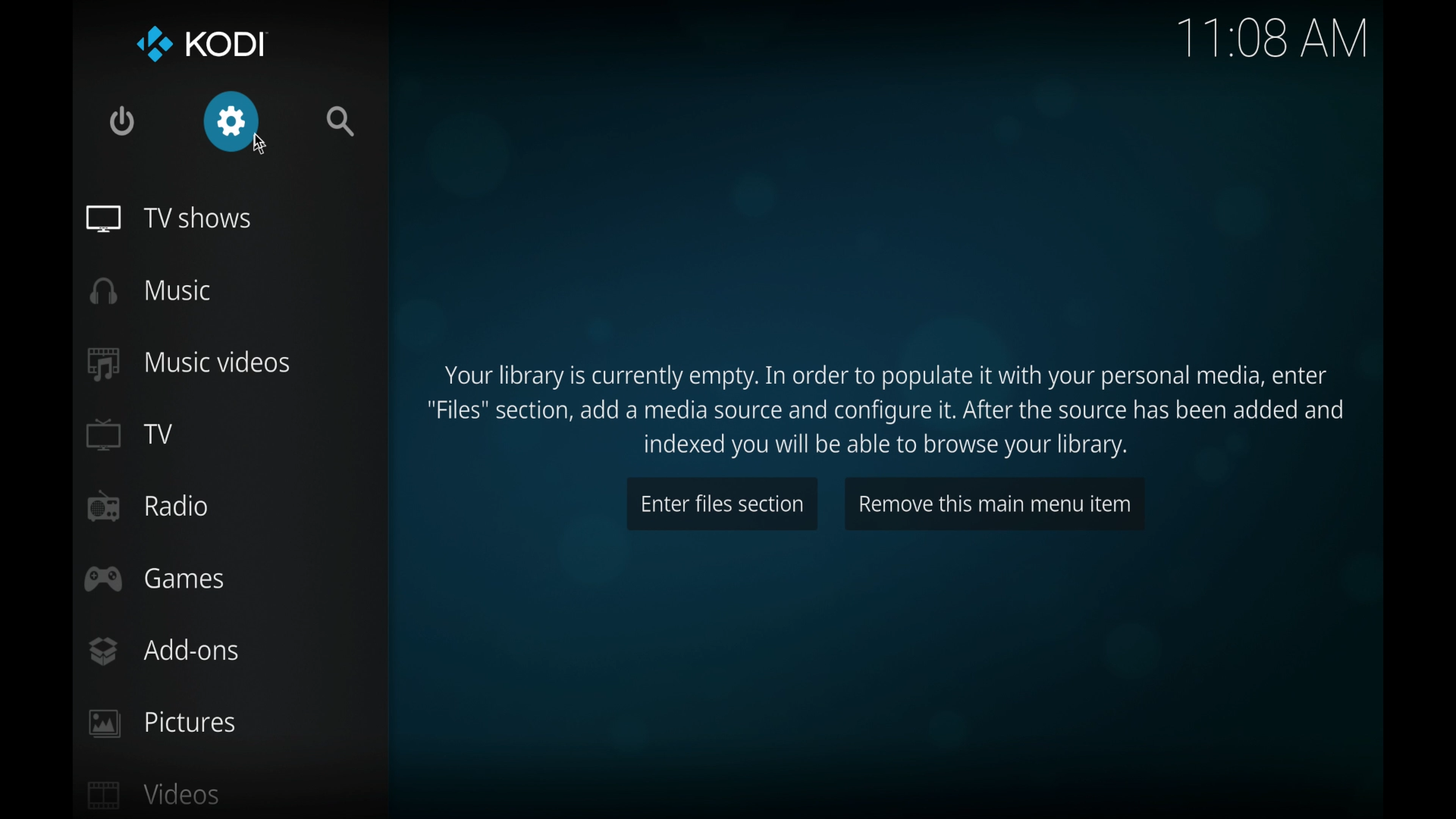 The image size is (1456, 819). What do you see at coordinates (122, 122) in the screenshot?
I see `quit kodi` at bounding box center [122, 122].